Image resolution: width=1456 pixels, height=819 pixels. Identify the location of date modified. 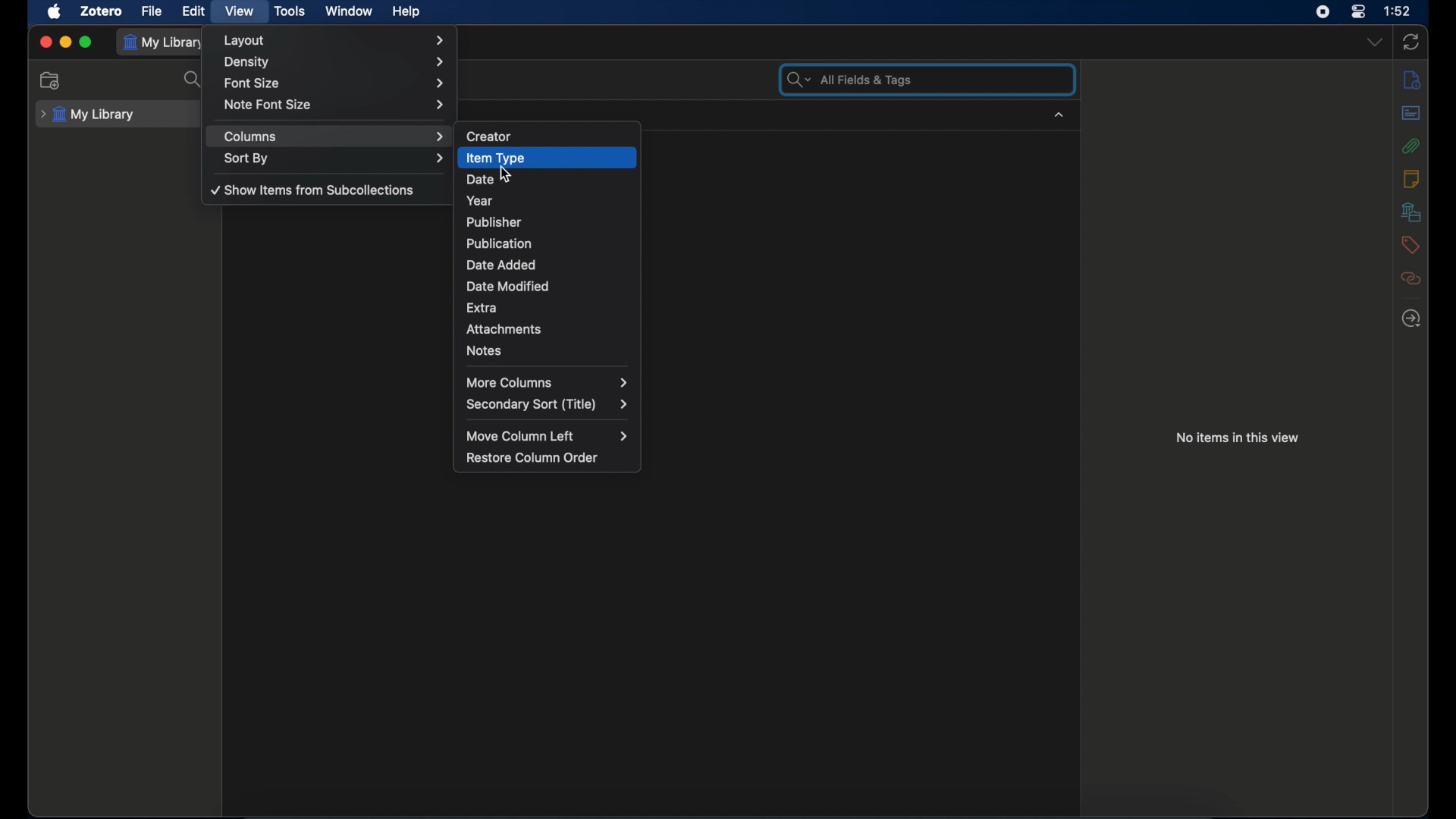
(510, 286).